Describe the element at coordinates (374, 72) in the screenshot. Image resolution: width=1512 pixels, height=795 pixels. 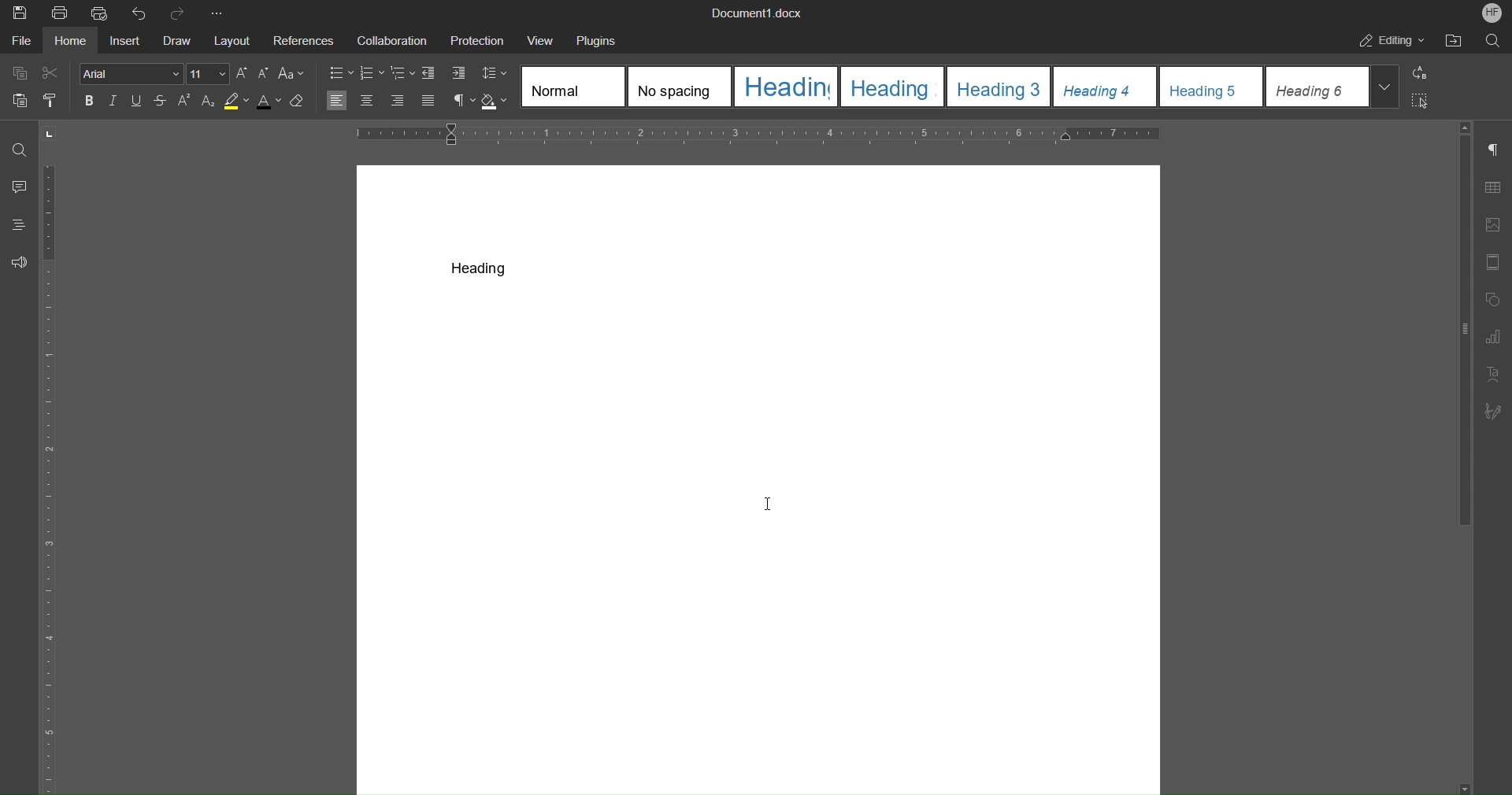
I see `Numbered List` at that location.